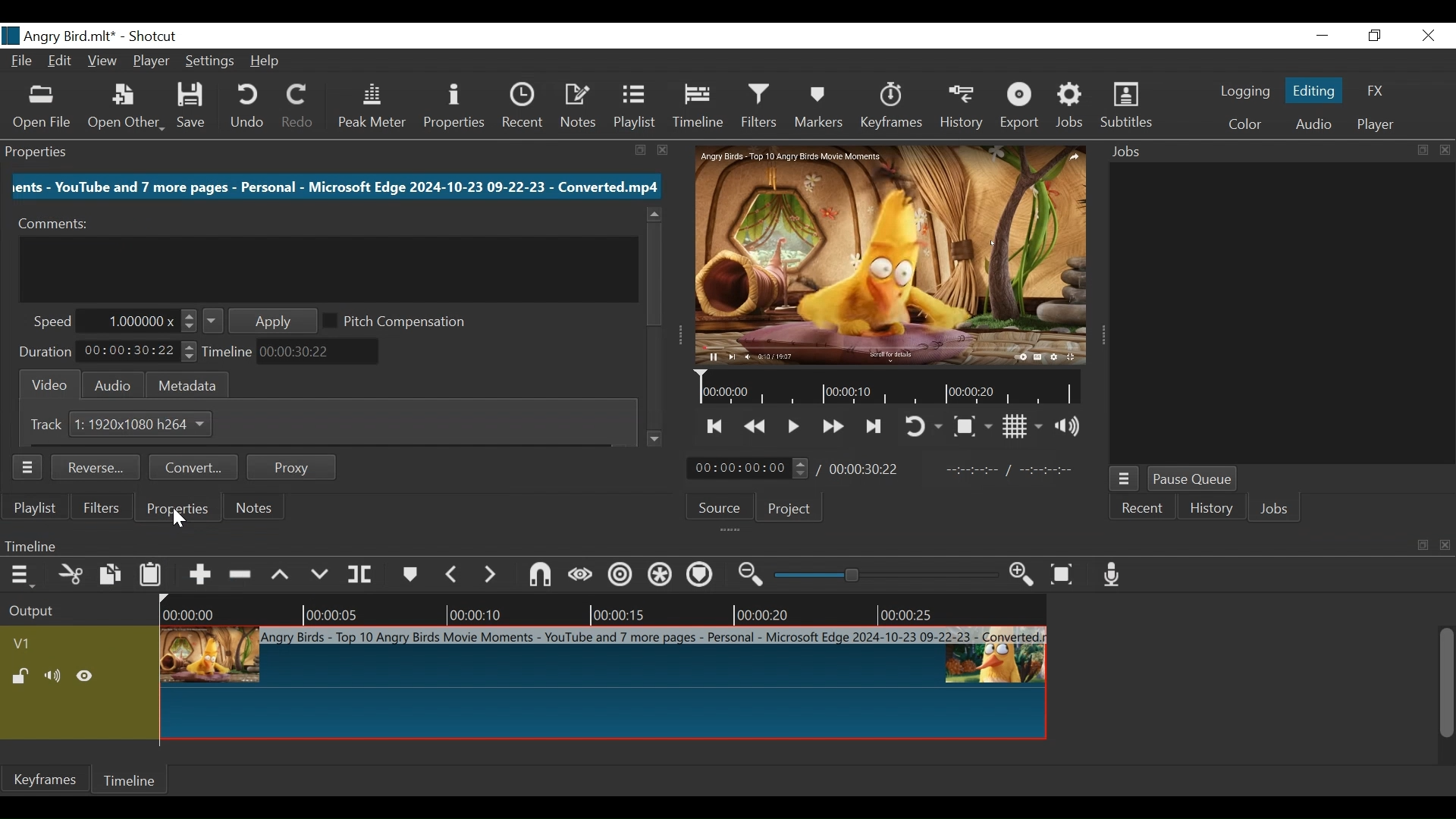  What do you see at coordinates (202, 576) in the screenshot?
I see `Append` at bounding box center [202, 576].